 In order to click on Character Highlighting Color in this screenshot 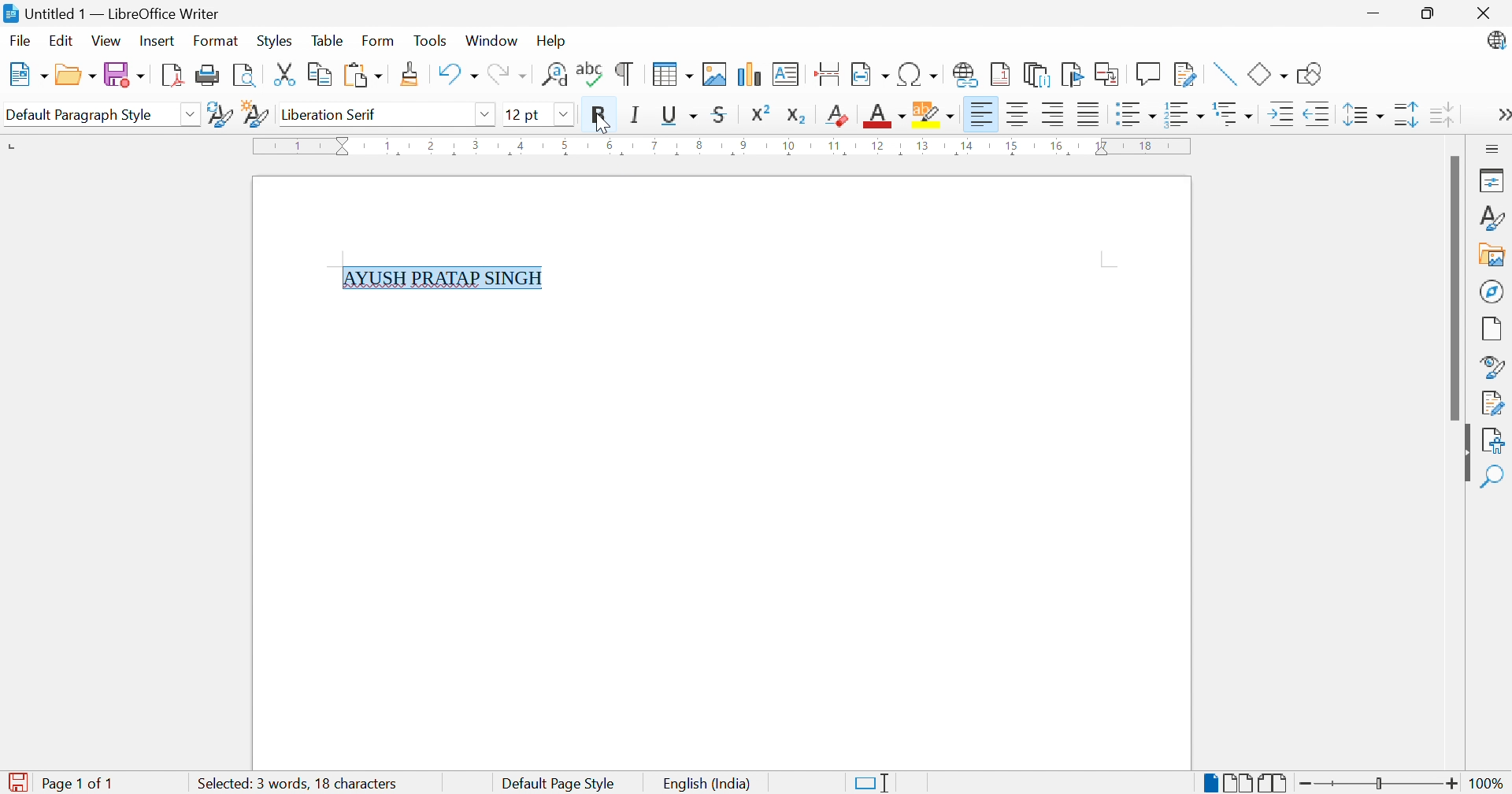, I will do `click(935, 116)`.